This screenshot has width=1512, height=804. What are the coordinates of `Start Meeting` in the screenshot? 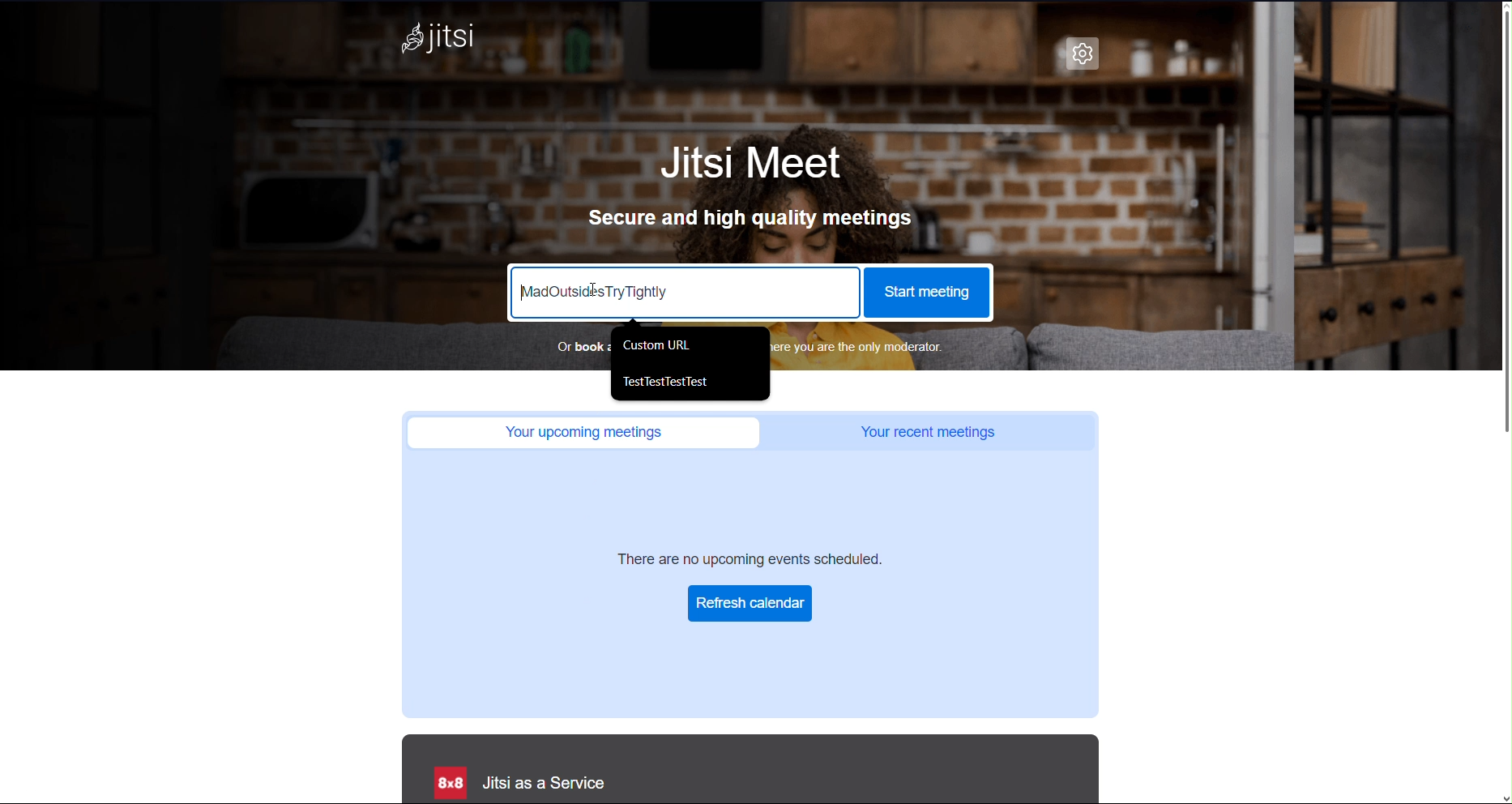 It's located at (929, 294).